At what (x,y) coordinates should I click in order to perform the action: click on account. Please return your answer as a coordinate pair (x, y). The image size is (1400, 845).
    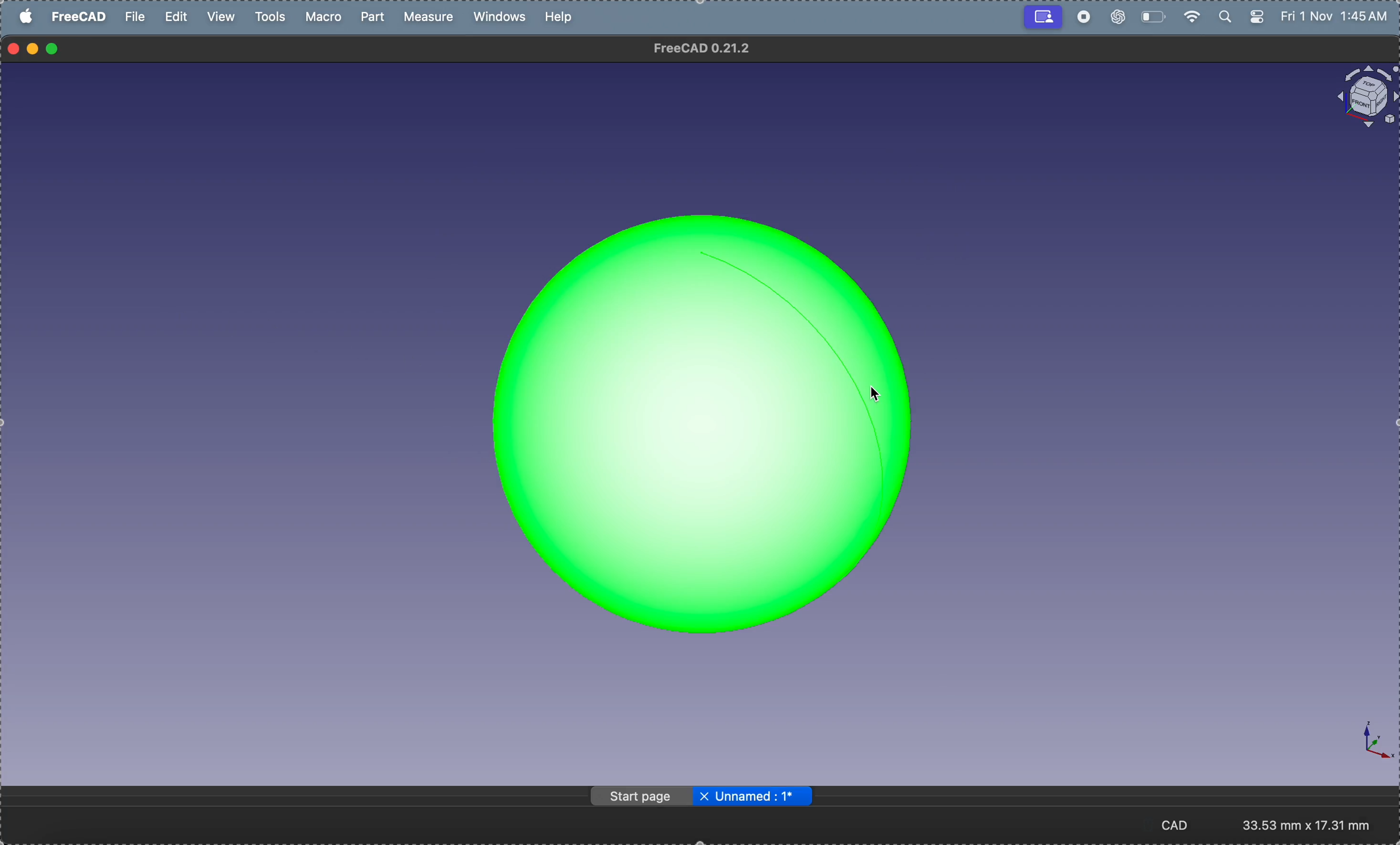
    Looking at the image, I should click on (1044, 18).